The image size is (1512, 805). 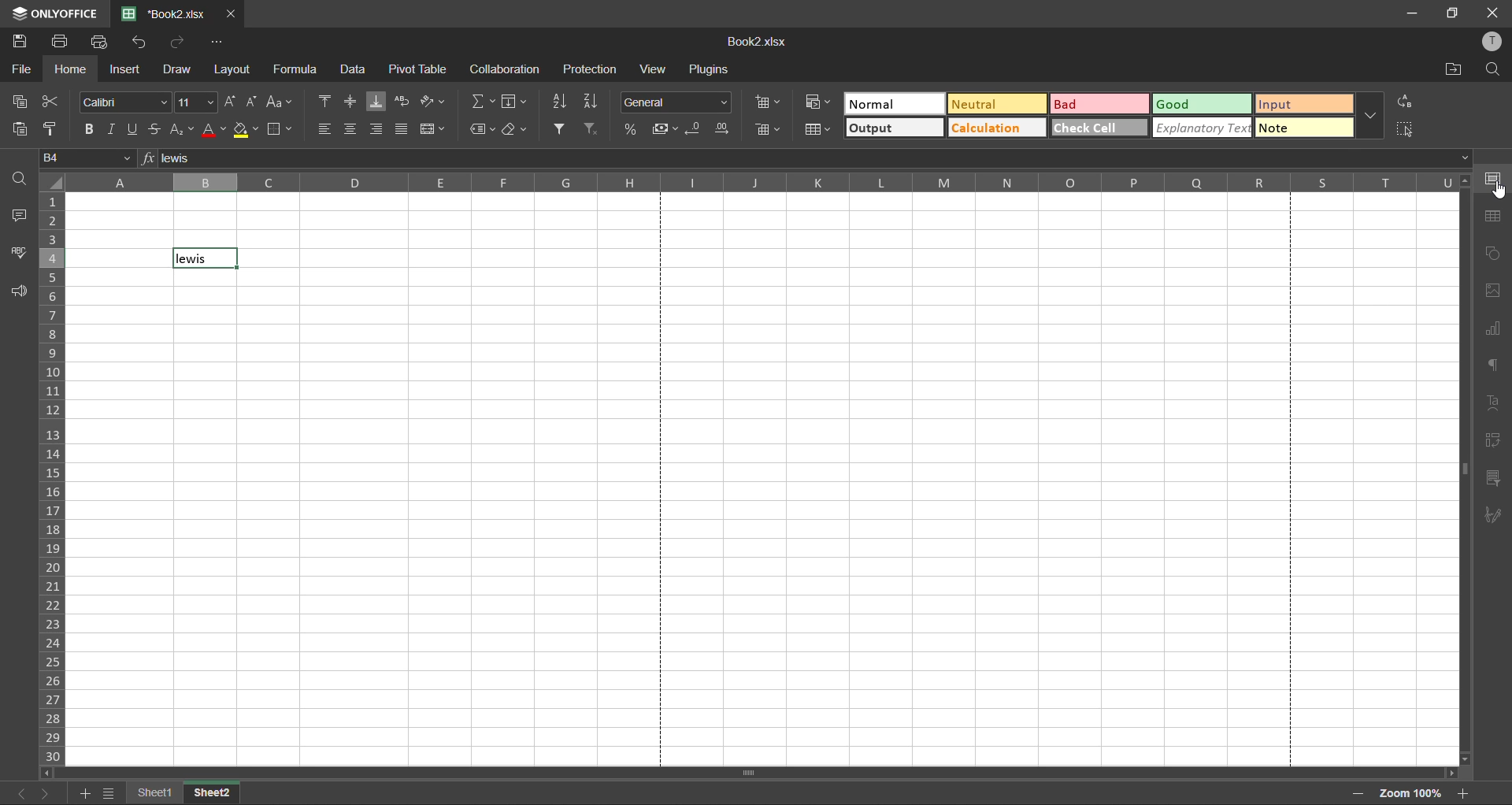 I want to click on change case, so click(x=283, y=103).